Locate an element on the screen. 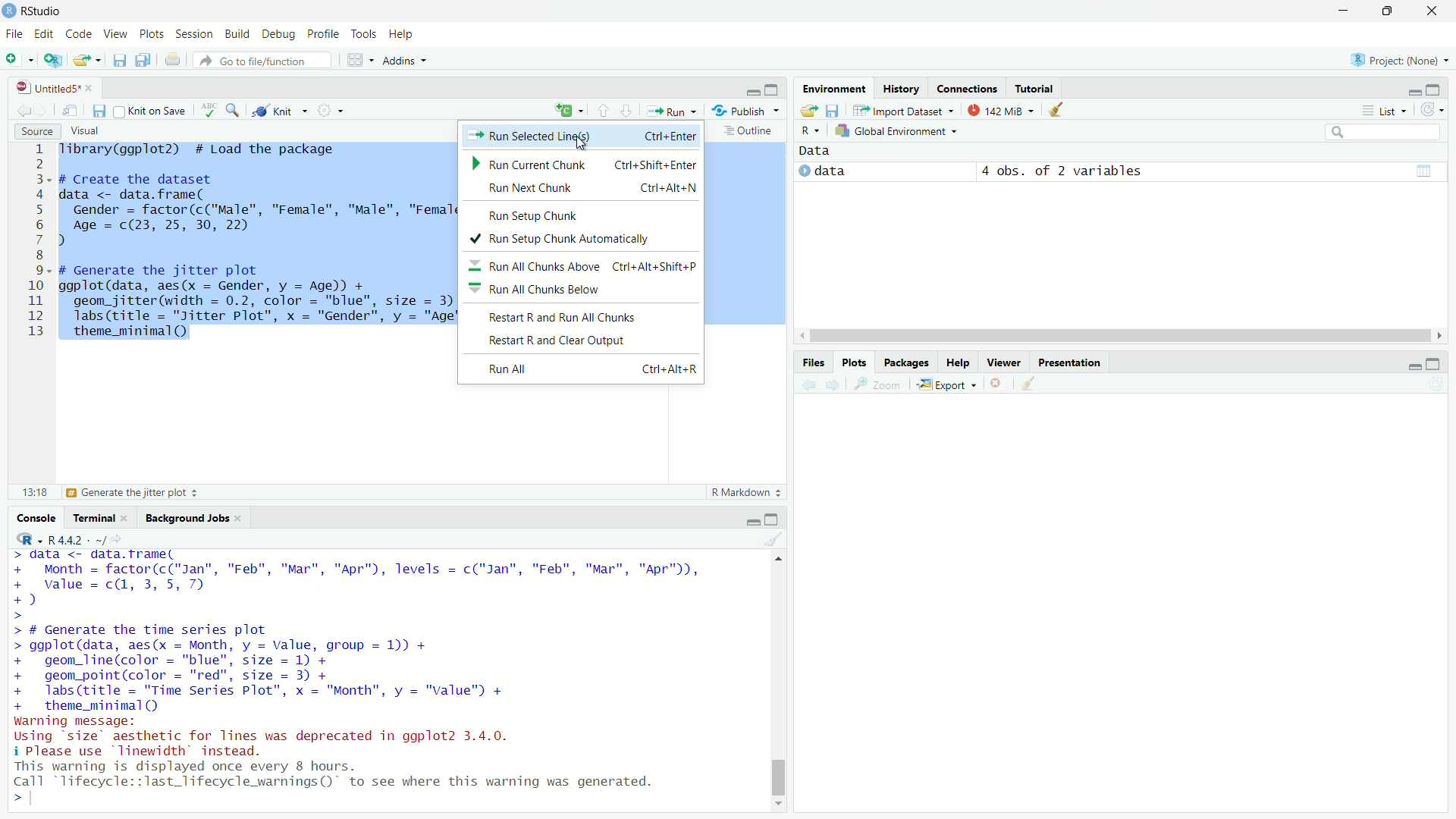 The image size is (1456, 819). tutorial is located at coordinates (1039, 88).